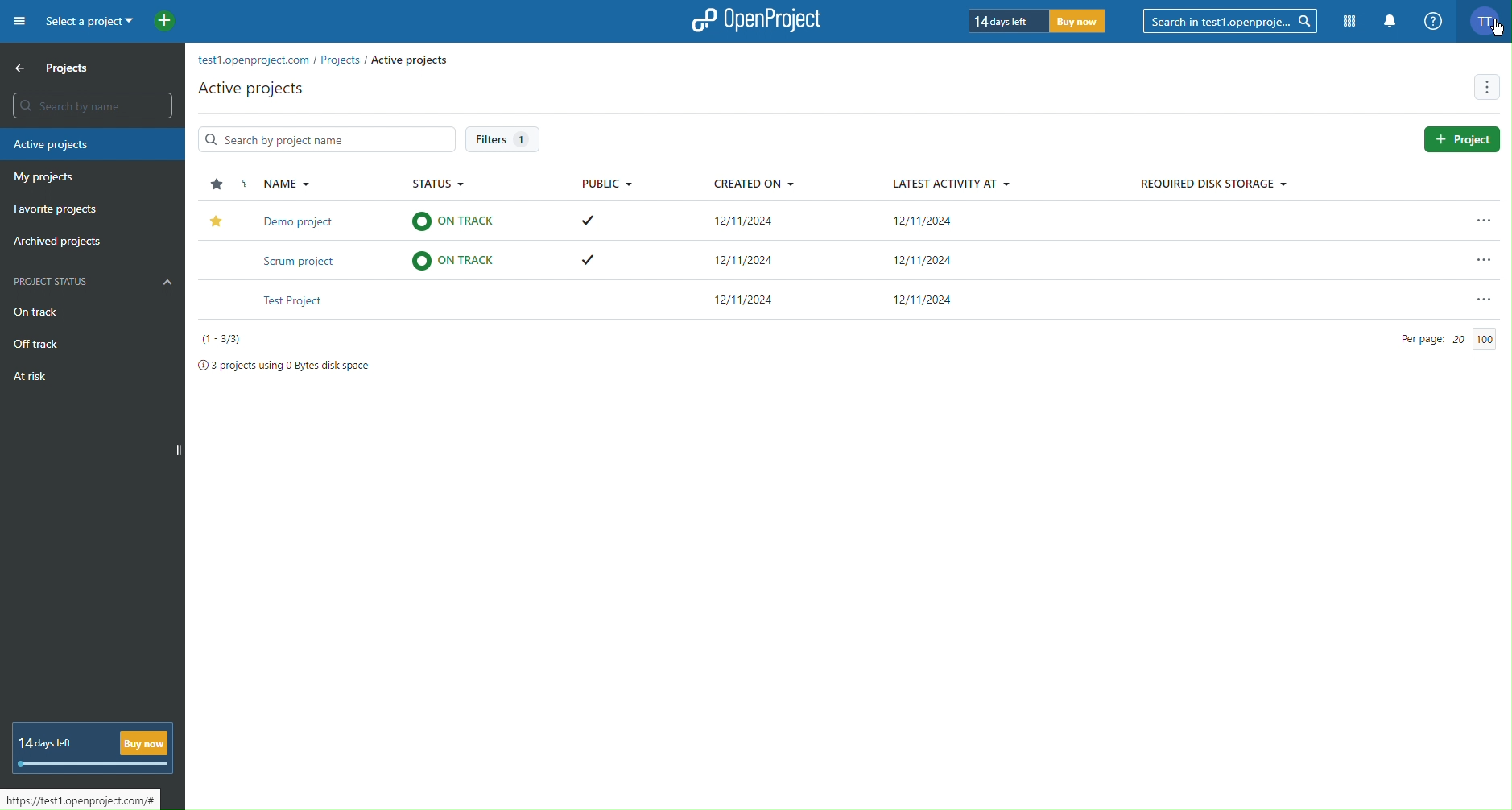 This screenshot has height=810, width=1512. I want to click on Numbers, so click(229, 339).